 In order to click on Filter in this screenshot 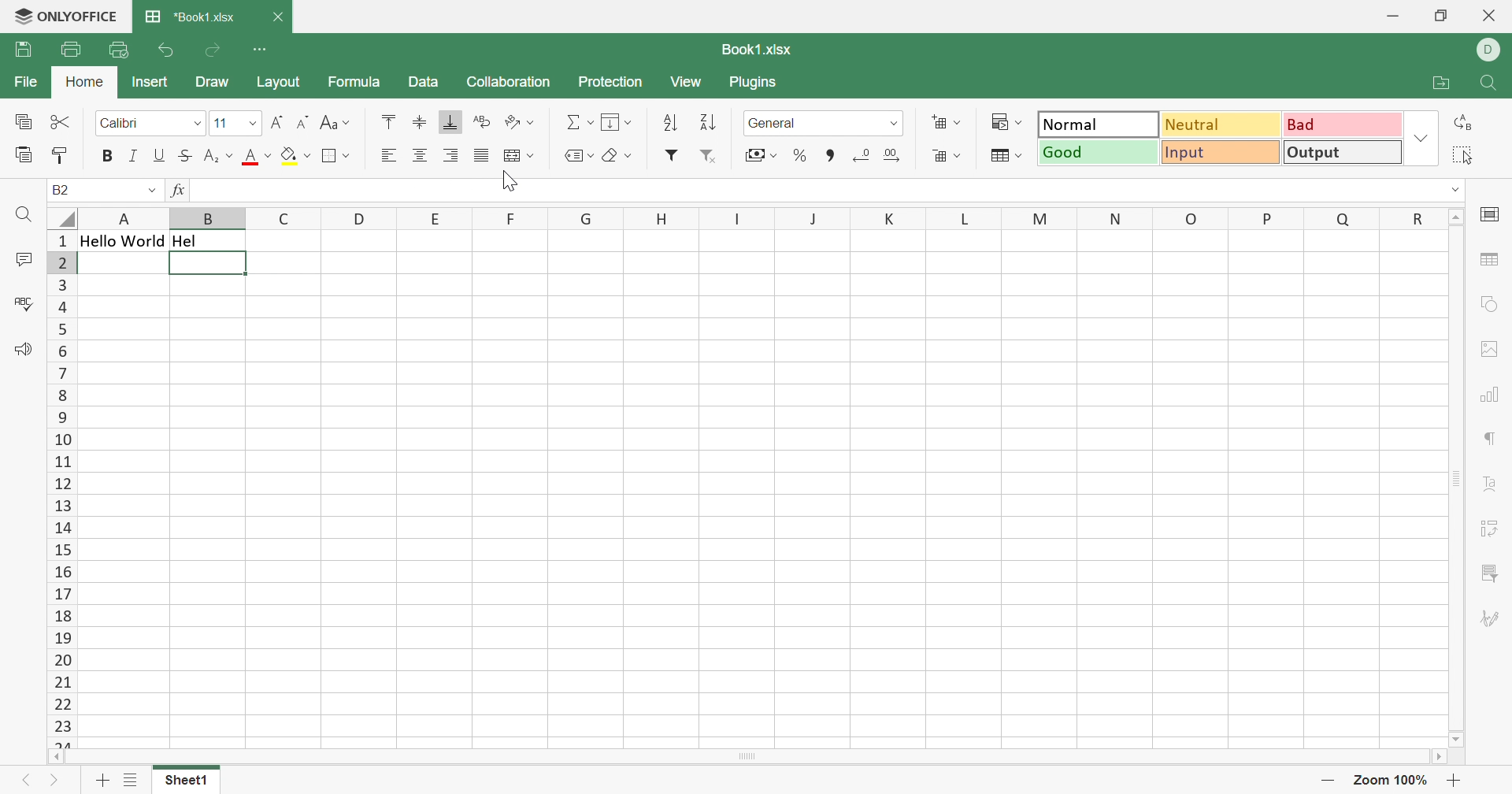, I will do `click(671, 156)`.